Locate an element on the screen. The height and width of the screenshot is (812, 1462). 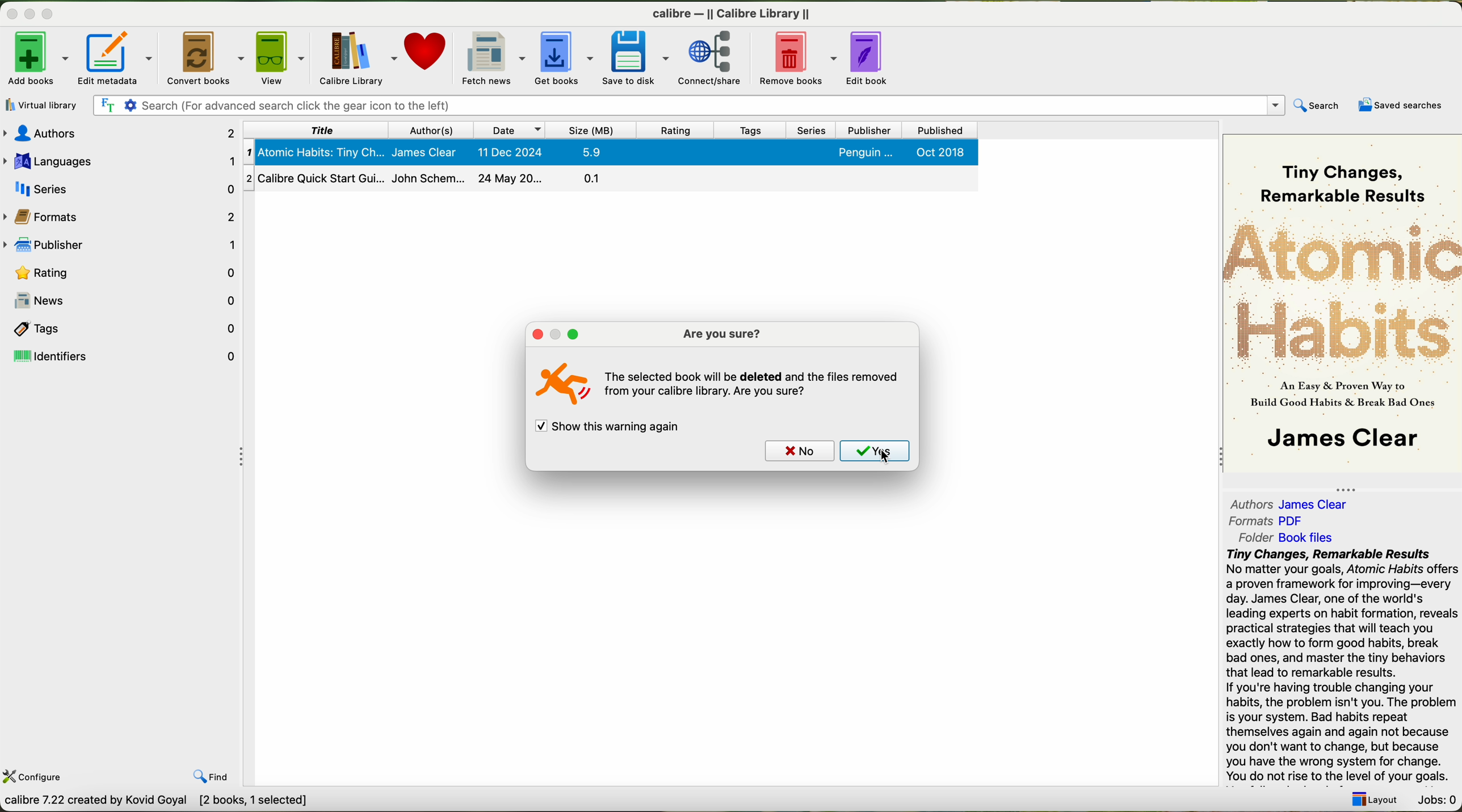
date is located at coordinates (510, 129).